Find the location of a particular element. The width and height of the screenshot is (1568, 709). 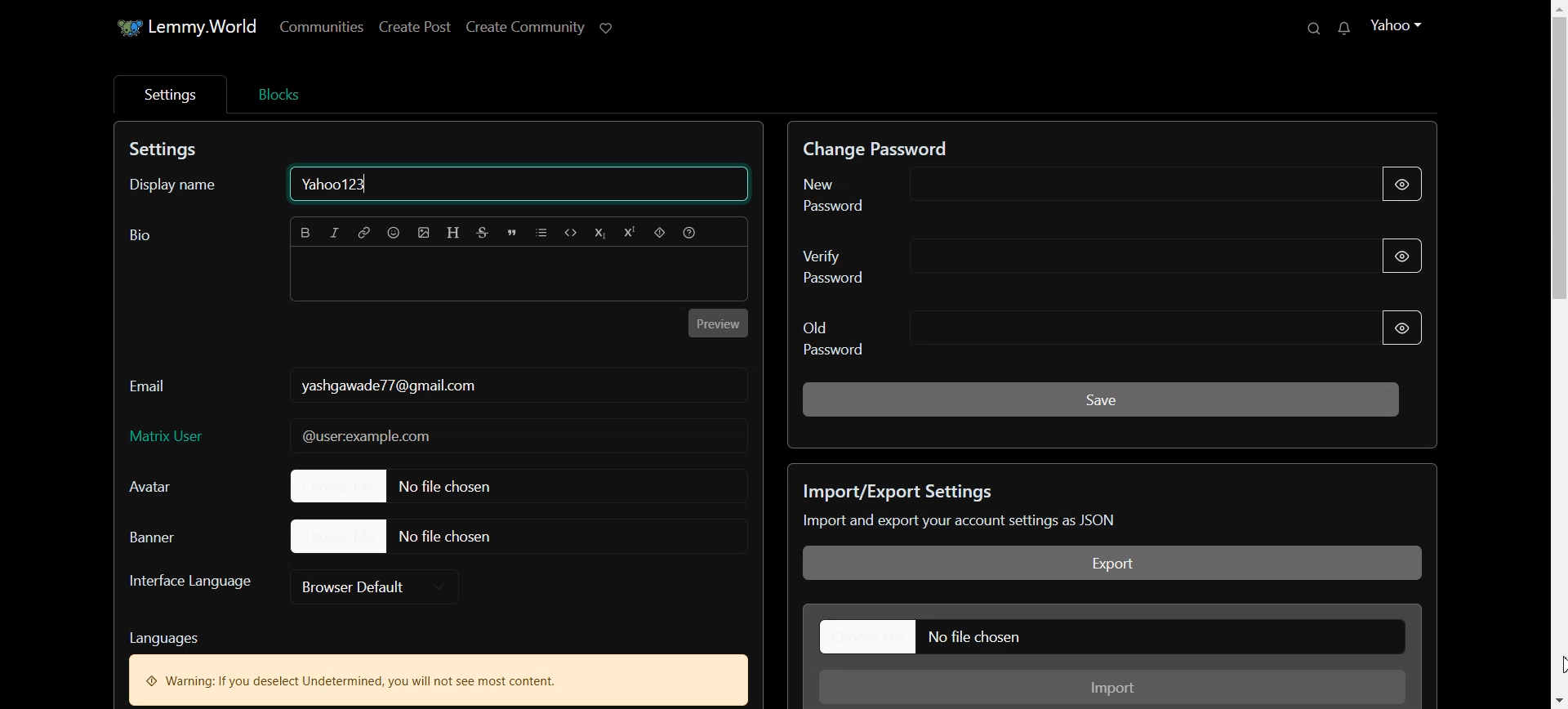

File chosen is located at coordinates (421, 485).